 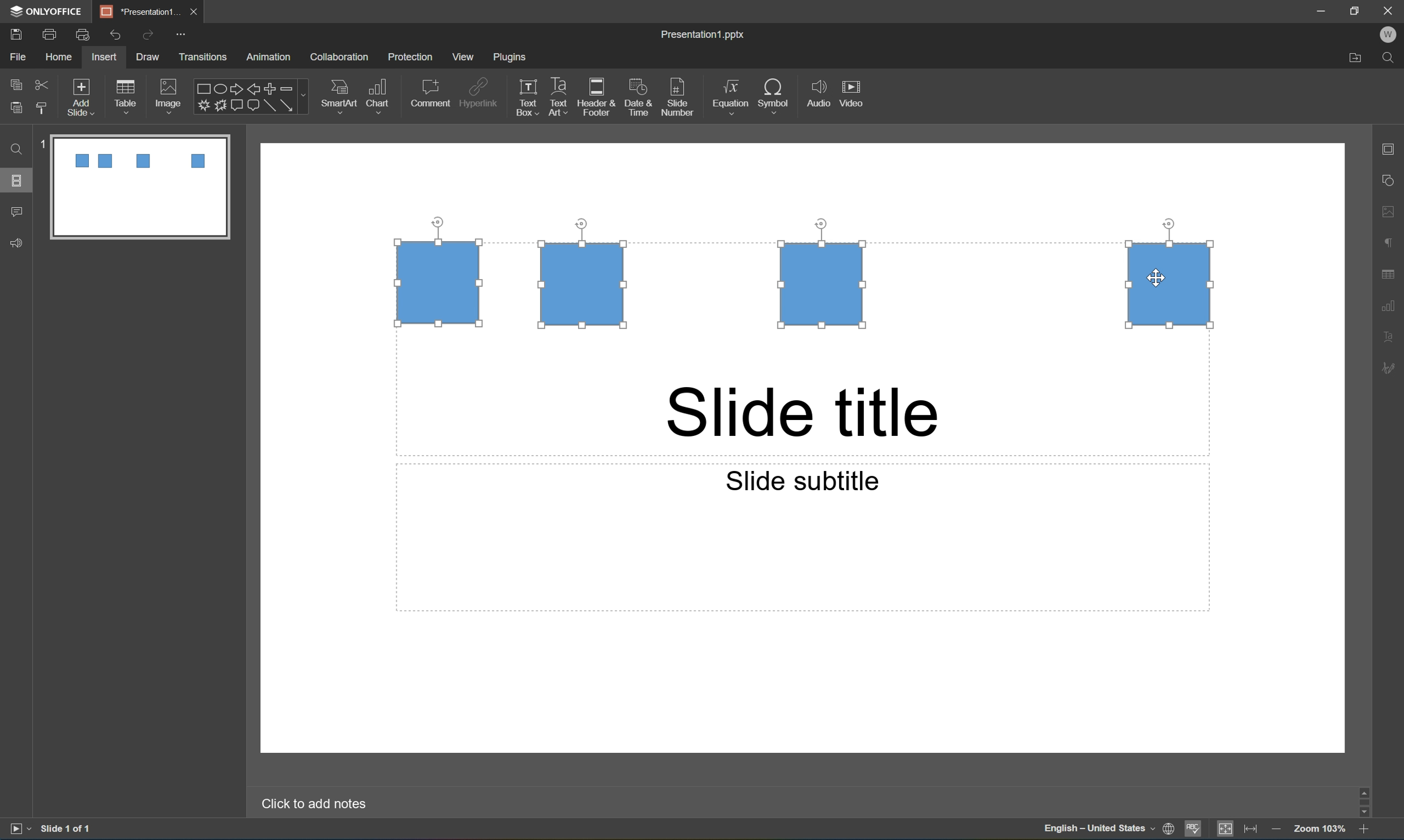 I want to click on equation, so click(x=729, y=95).